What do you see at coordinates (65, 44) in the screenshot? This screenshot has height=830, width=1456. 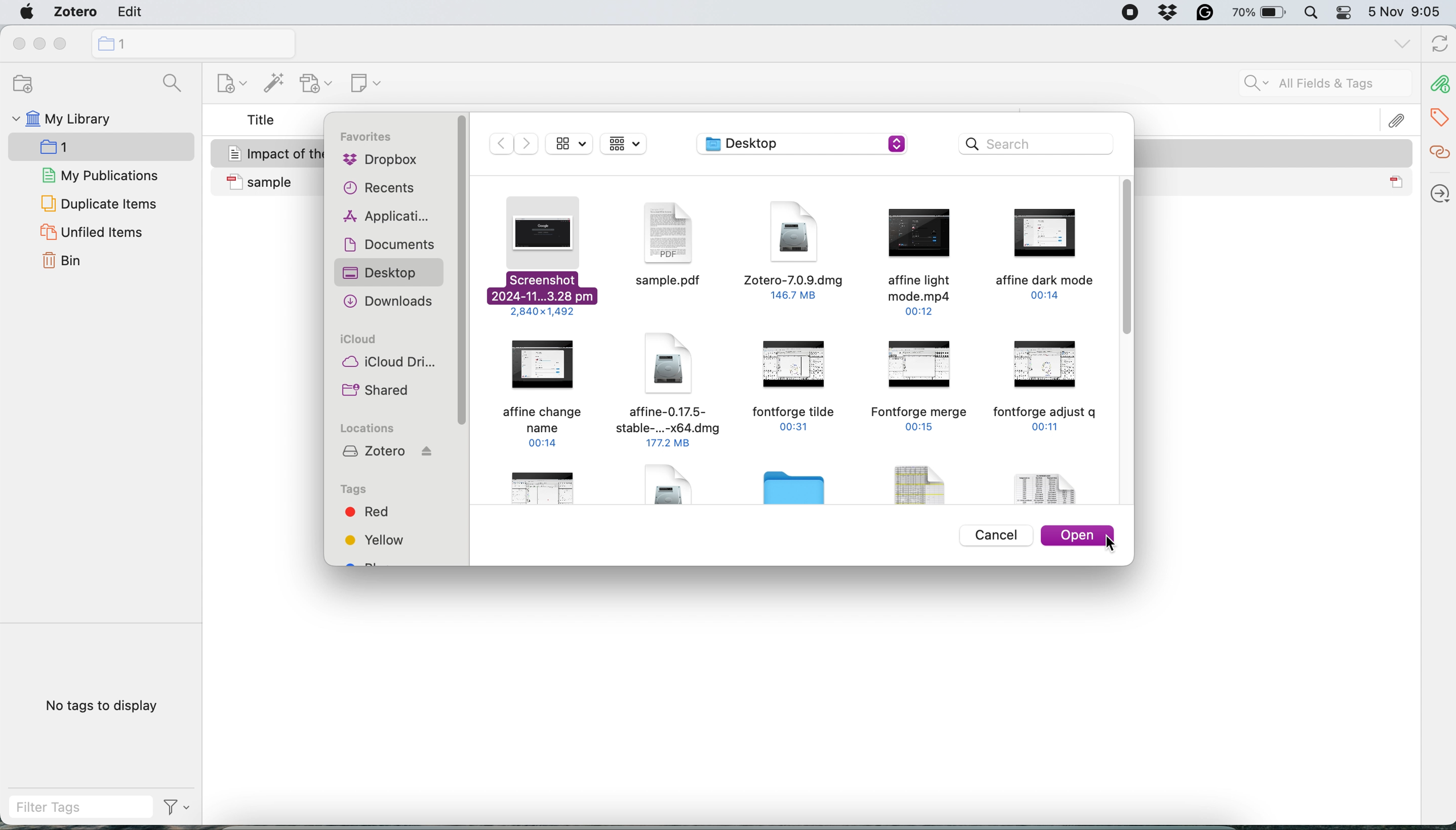 I see `maximise` at bounding box center [65, 44].